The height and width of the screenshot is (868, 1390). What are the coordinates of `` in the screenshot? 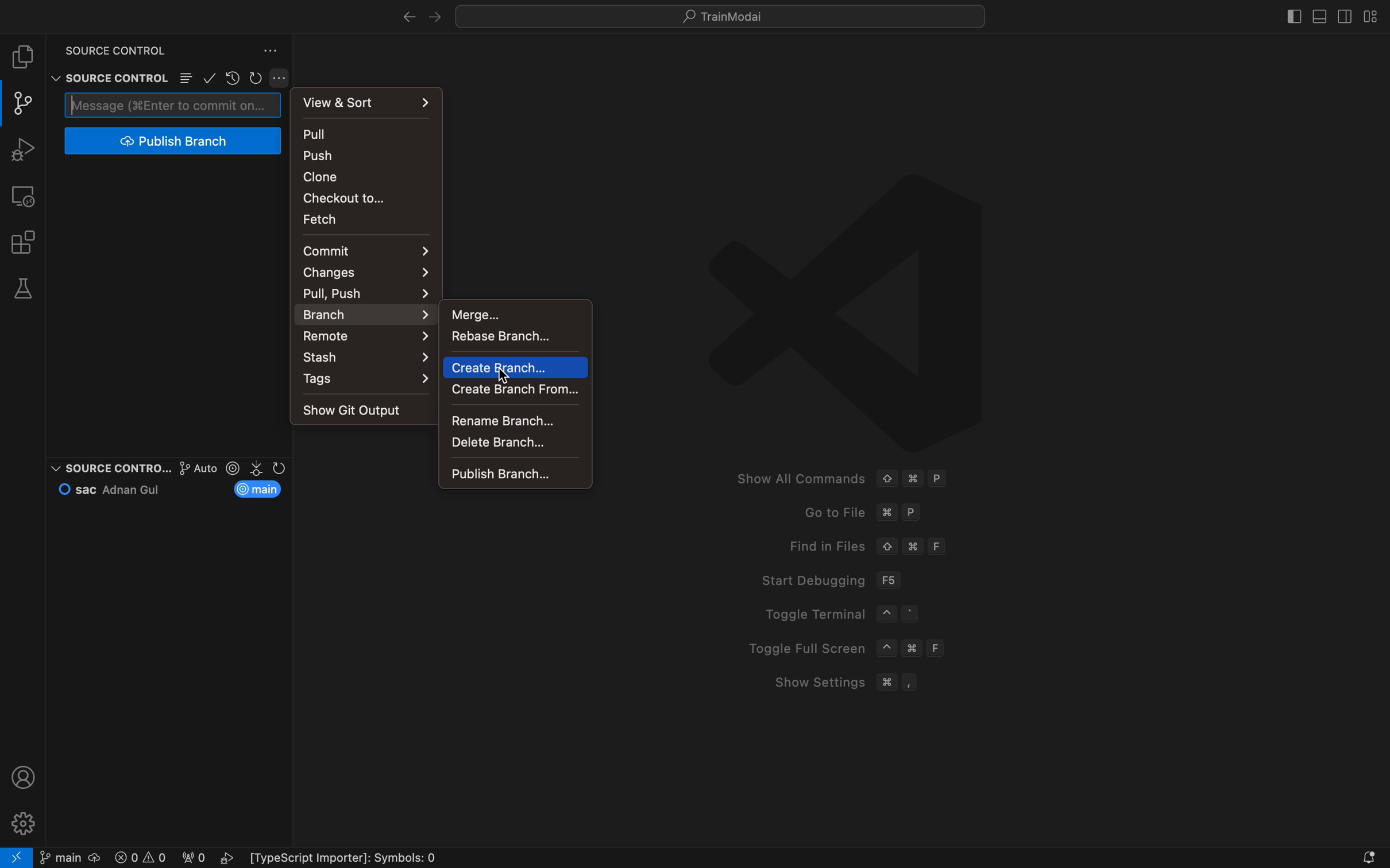 It's located at (361, 292).